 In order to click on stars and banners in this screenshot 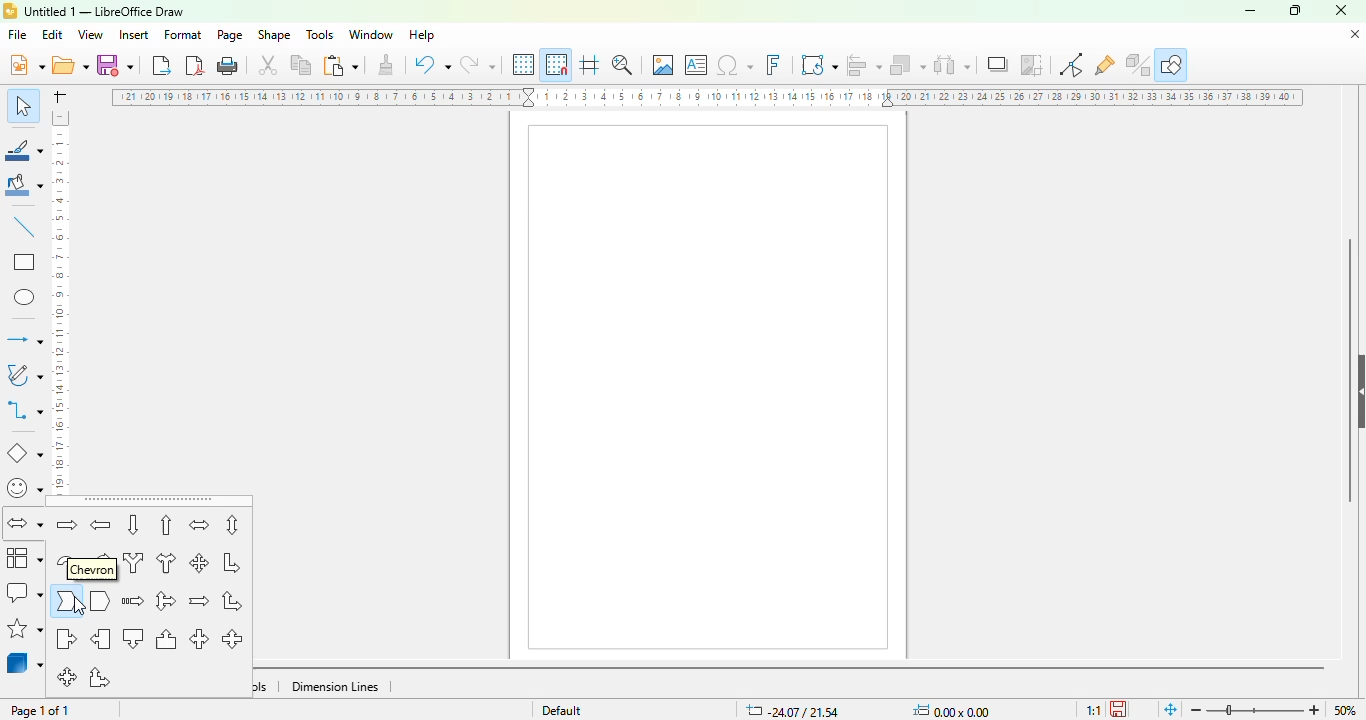, I will do `click(25, 628)`.